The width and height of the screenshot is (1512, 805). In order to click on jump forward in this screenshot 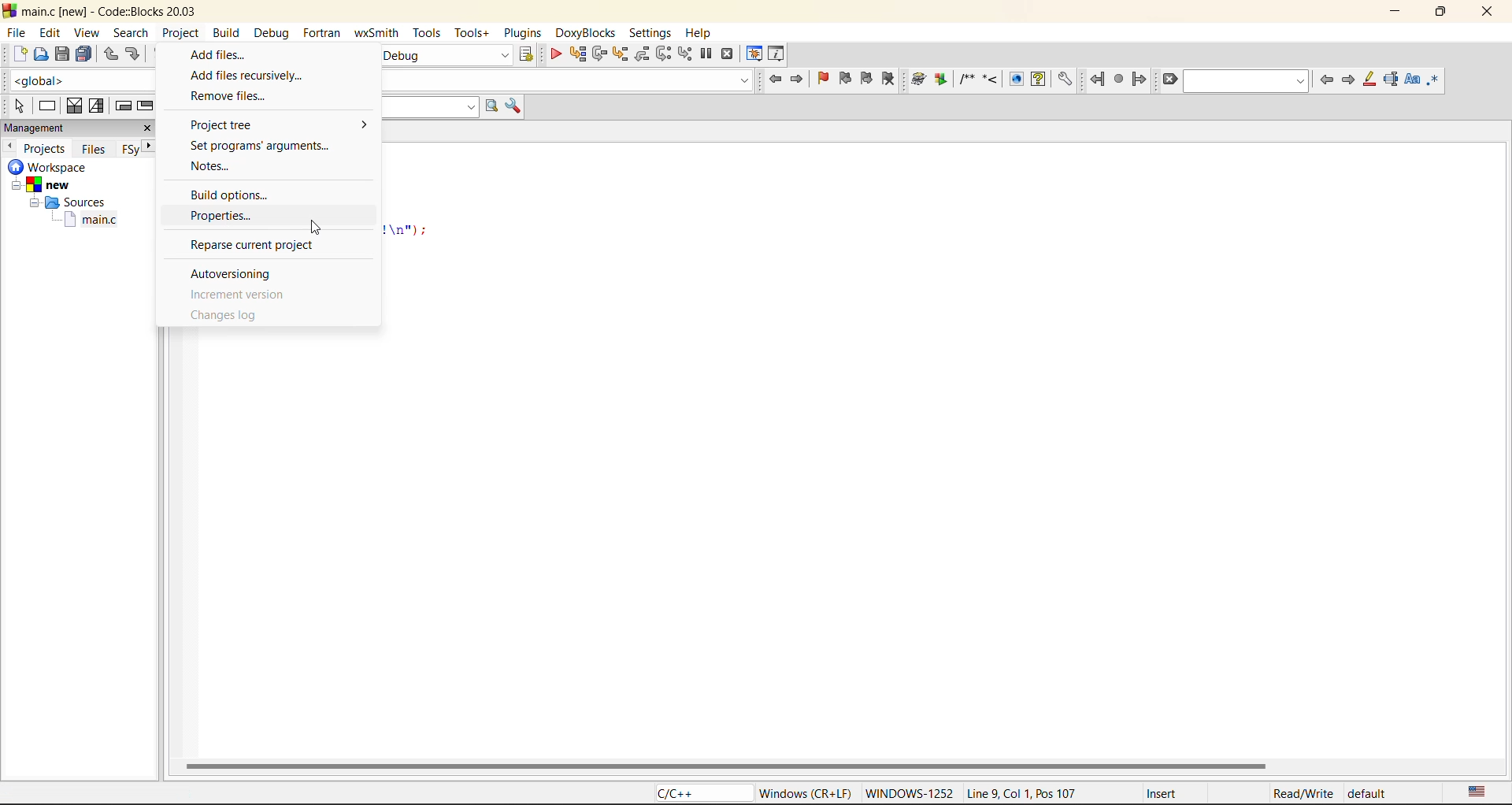, I will do `click(799, 81)`.